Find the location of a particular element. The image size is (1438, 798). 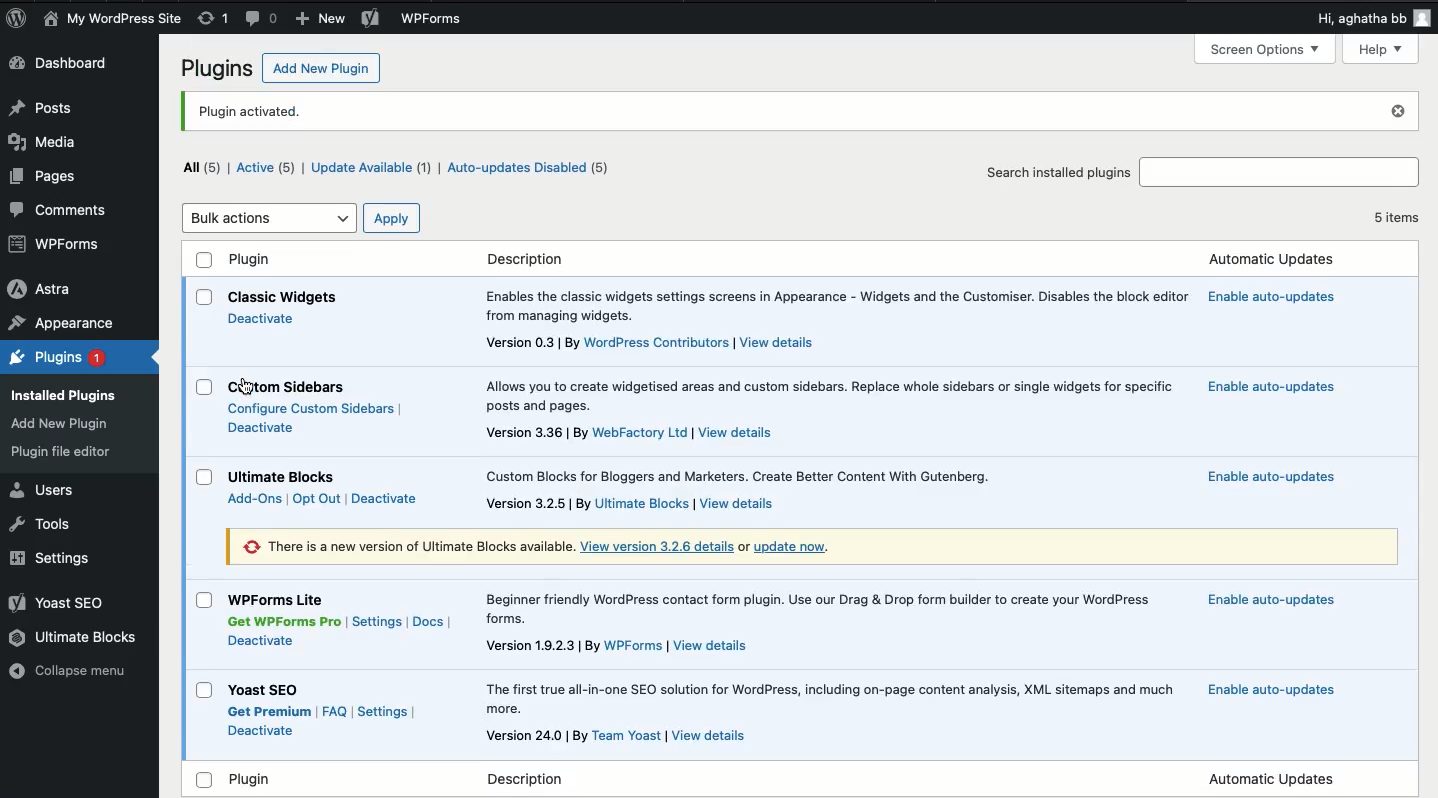

checkbox is located at coordinates (204, 601).